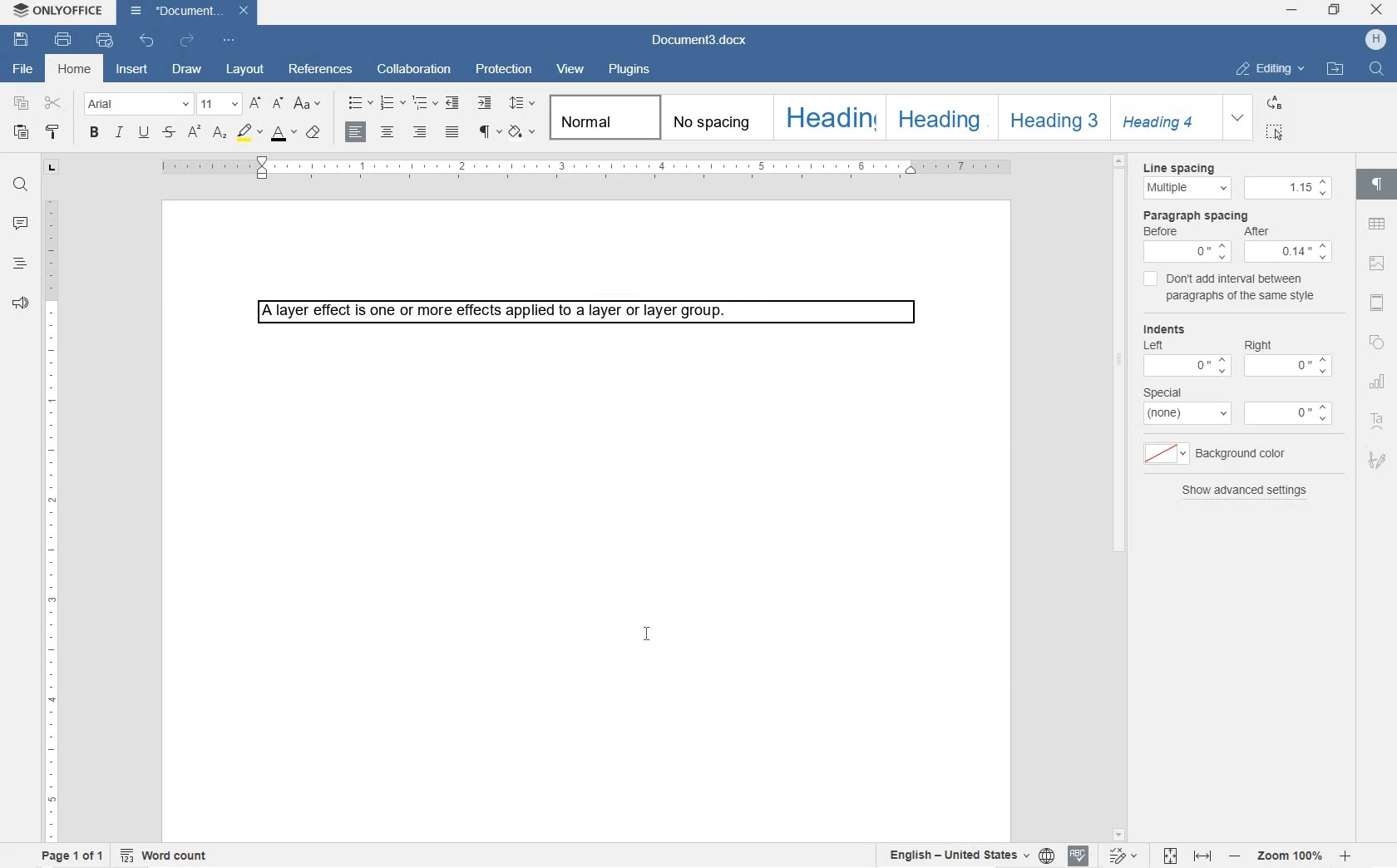  I want to click on NUMBERING, so click(392, 101).